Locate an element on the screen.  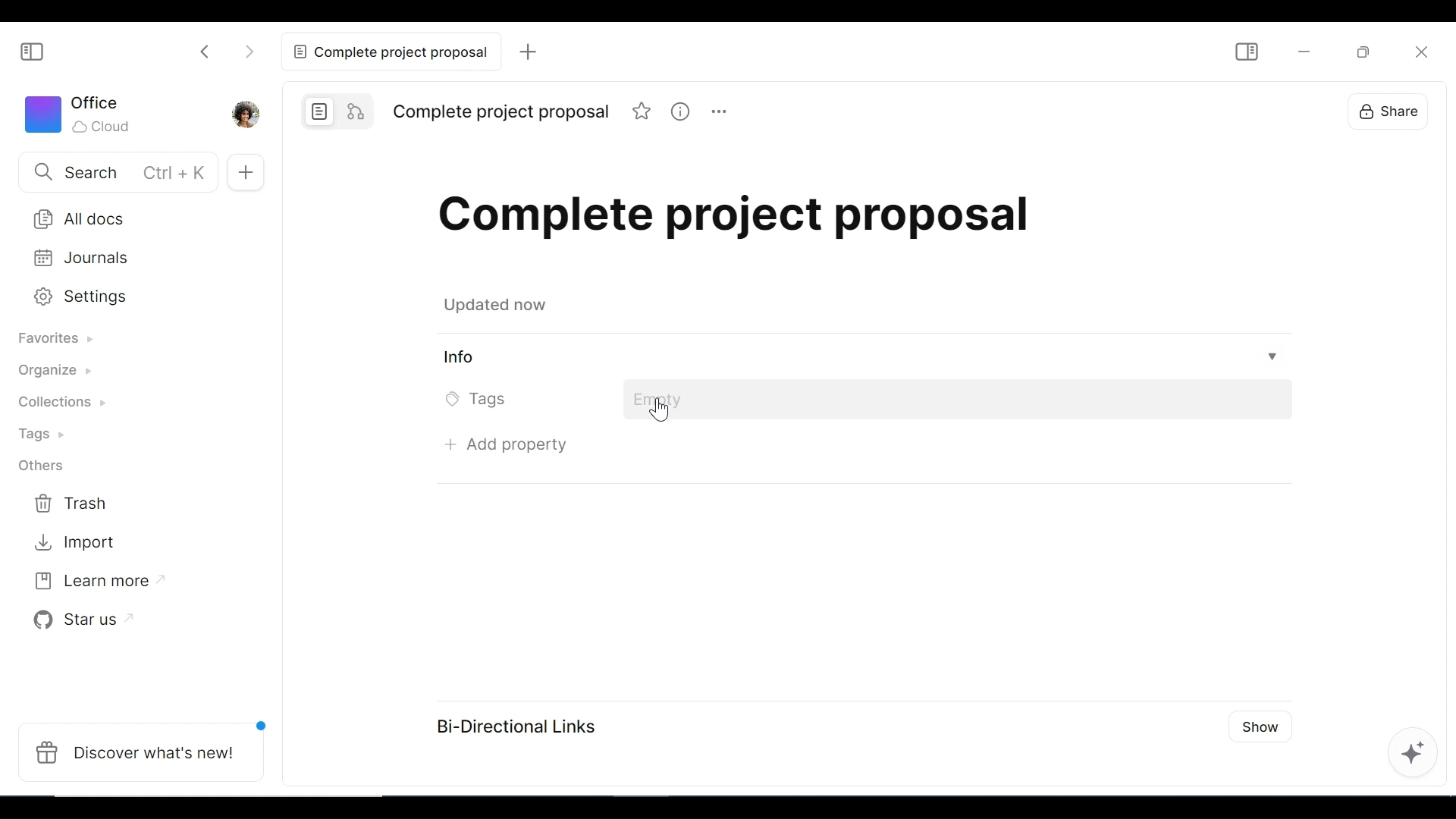
Page is located at coordinates (319, 111).